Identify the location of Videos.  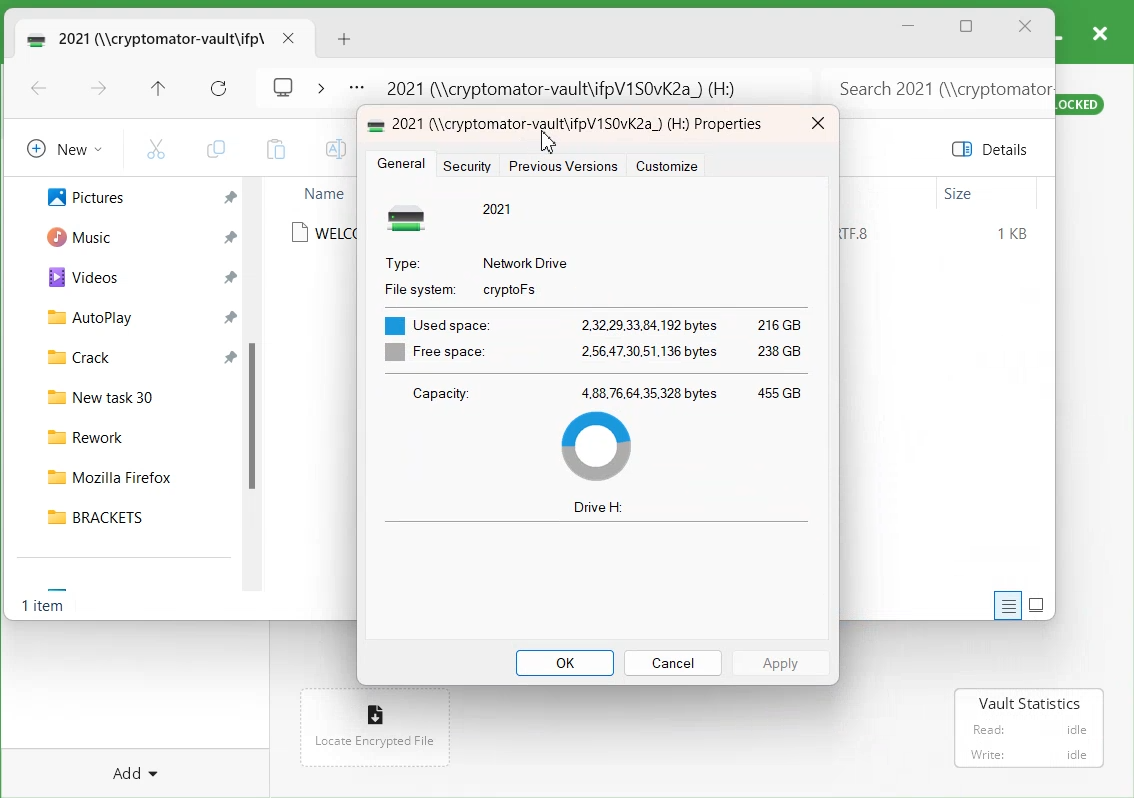
(75, 276).